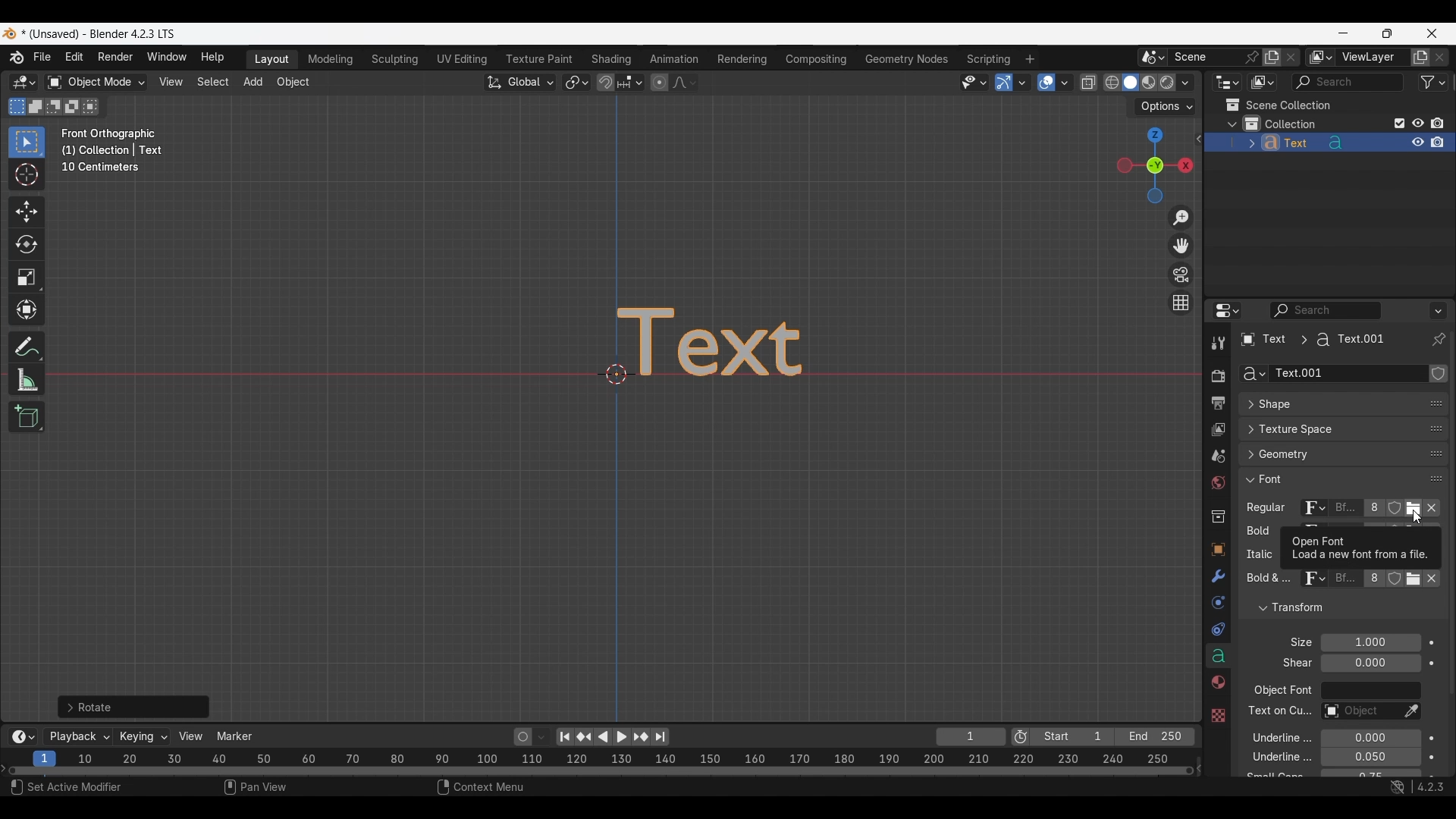 This screenshot has height=819, width=1456. Describe the element at coordinates (235, 736) in the screenshot. I see `Marker` at that location.